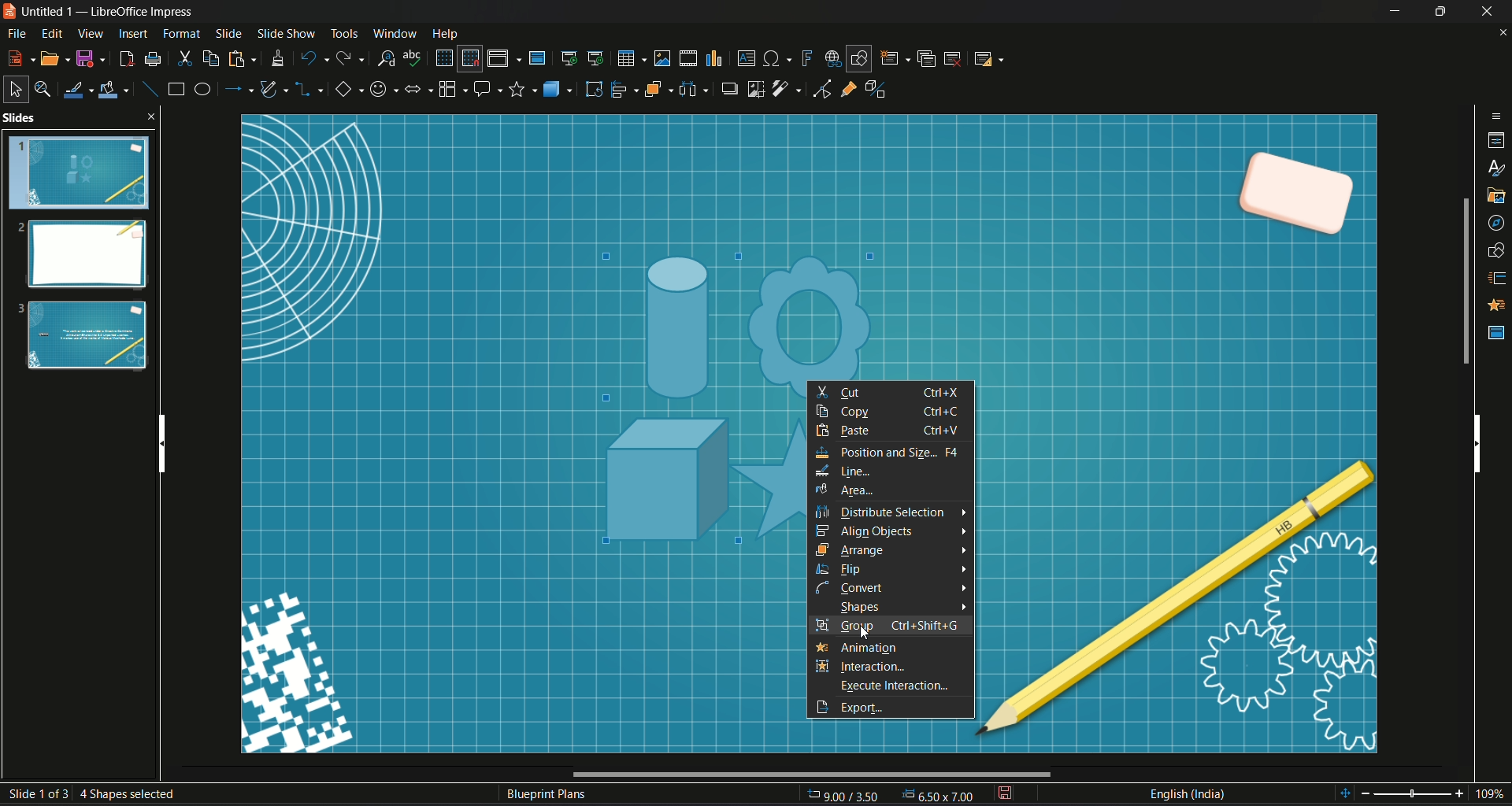  What do you see at coordinates (1004, 794) in the screenshot?
I see `save` at bounding box center [1004, 794].